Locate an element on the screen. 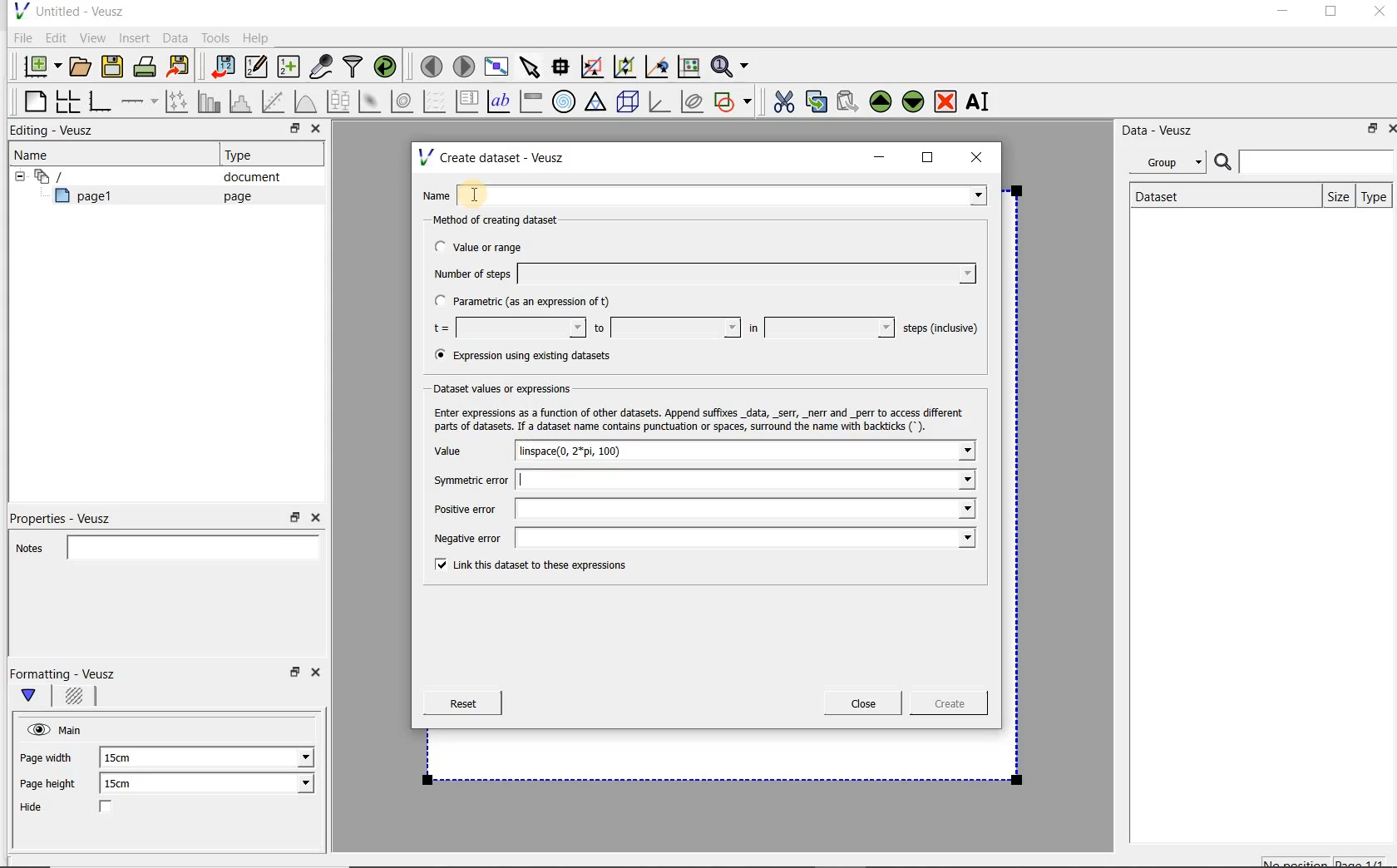 The image size is (1397, 868). click to reset graph axes is located at coordinates (689, 66).